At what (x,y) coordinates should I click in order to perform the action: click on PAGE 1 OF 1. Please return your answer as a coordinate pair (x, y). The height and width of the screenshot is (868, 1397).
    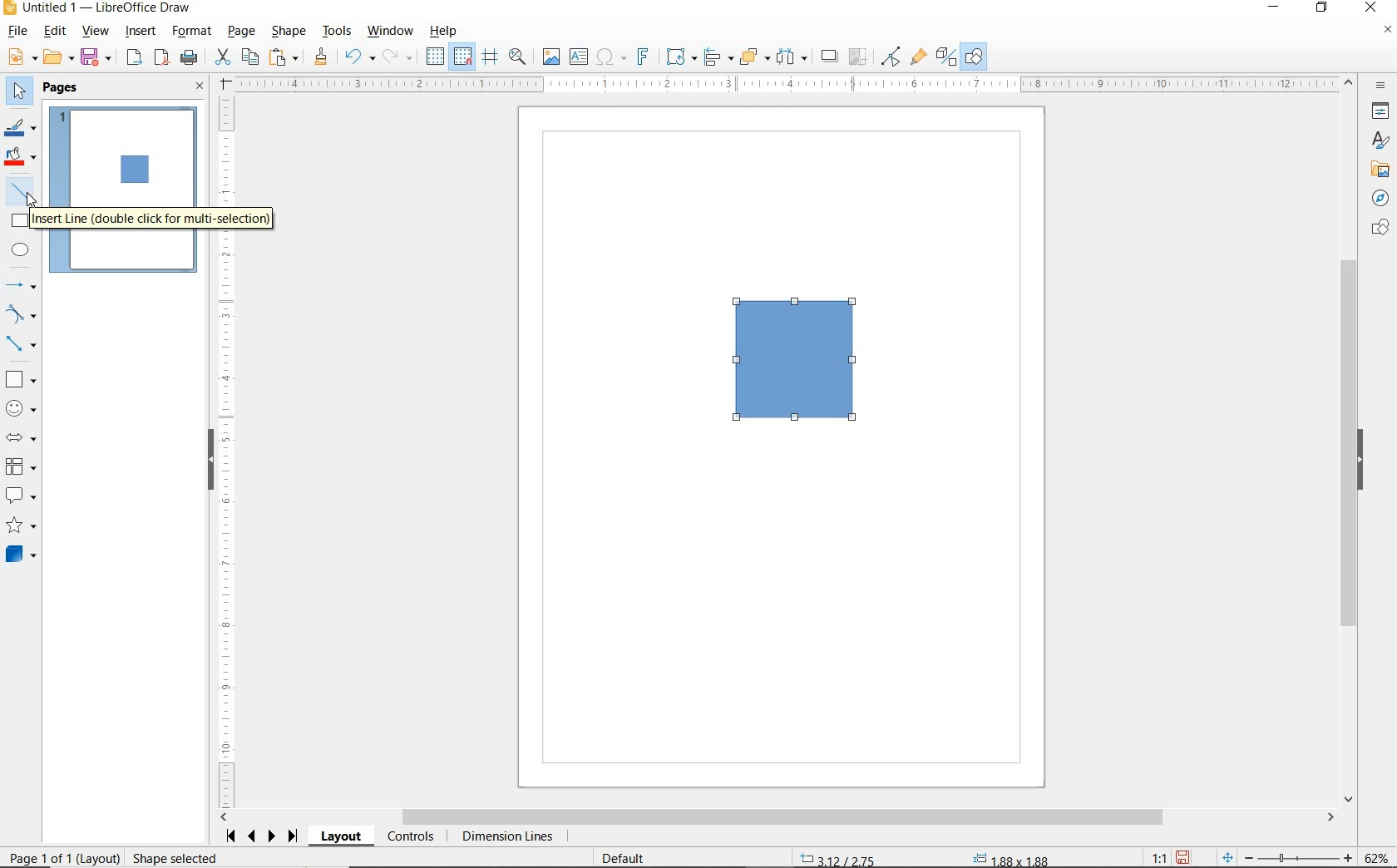
    Looking at the image, I should click on (42, 860).